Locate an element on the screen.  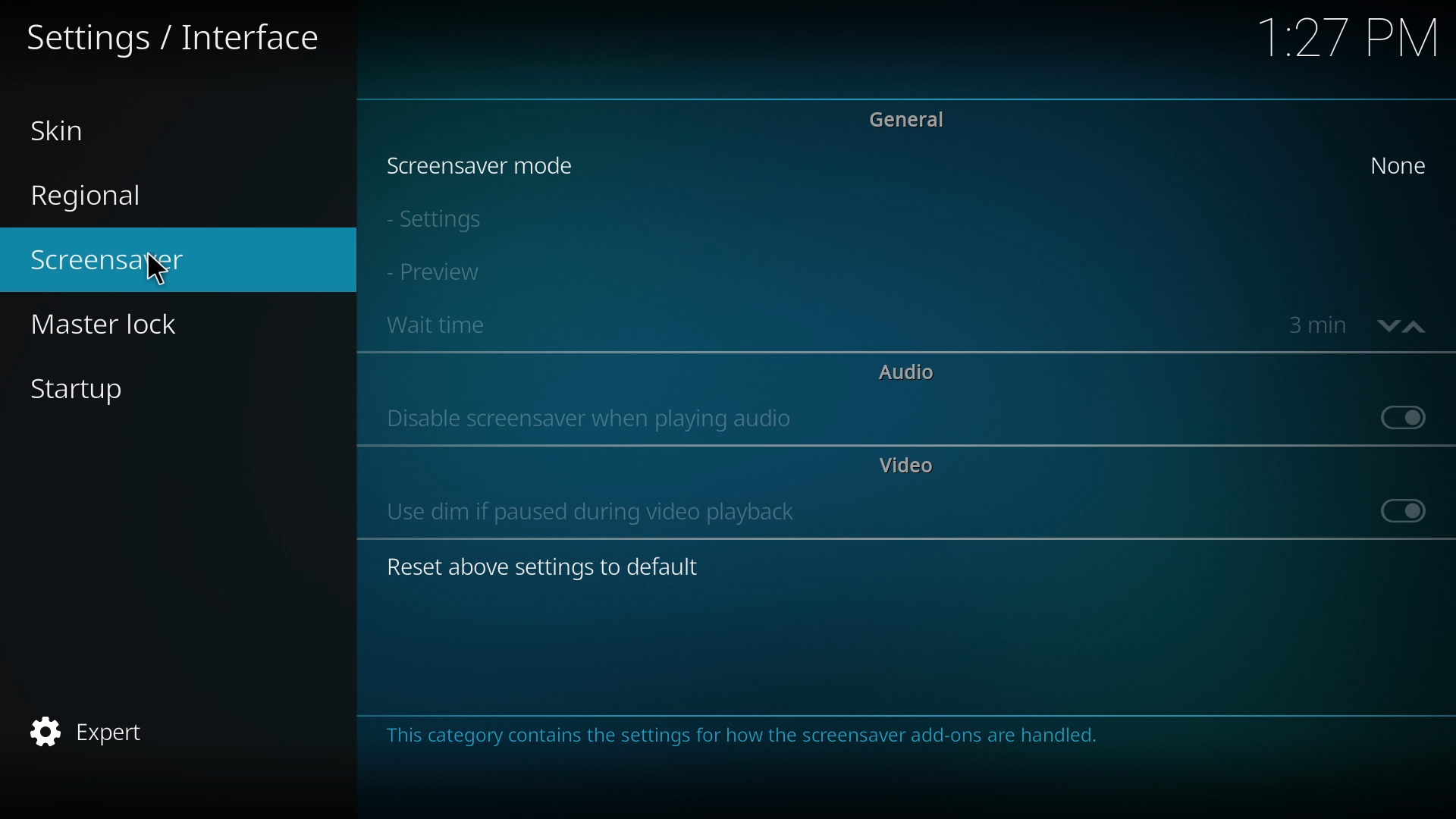
skin is located at coordinates (116, 128).